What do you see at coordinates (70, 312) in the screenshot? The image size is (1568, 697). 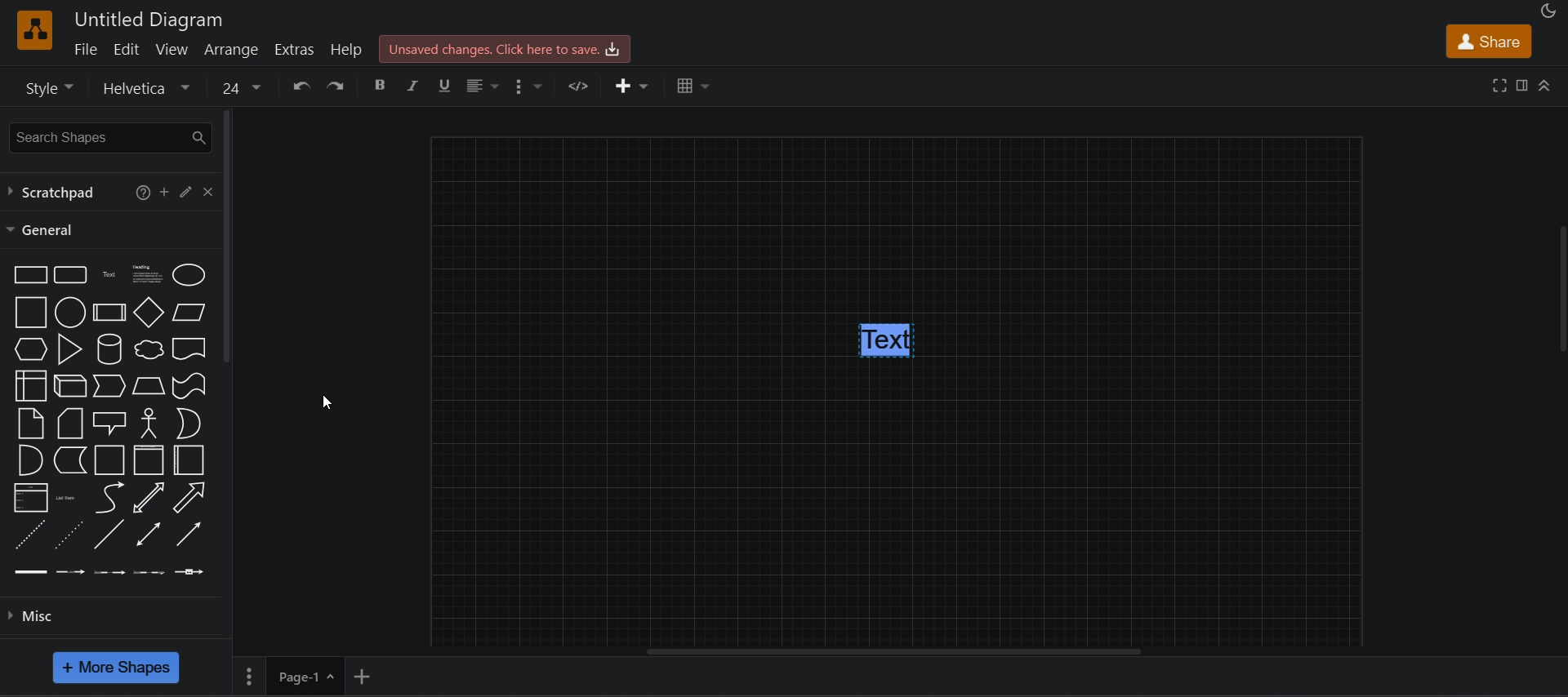 I see `Circle` at bounding box center [70, 312].